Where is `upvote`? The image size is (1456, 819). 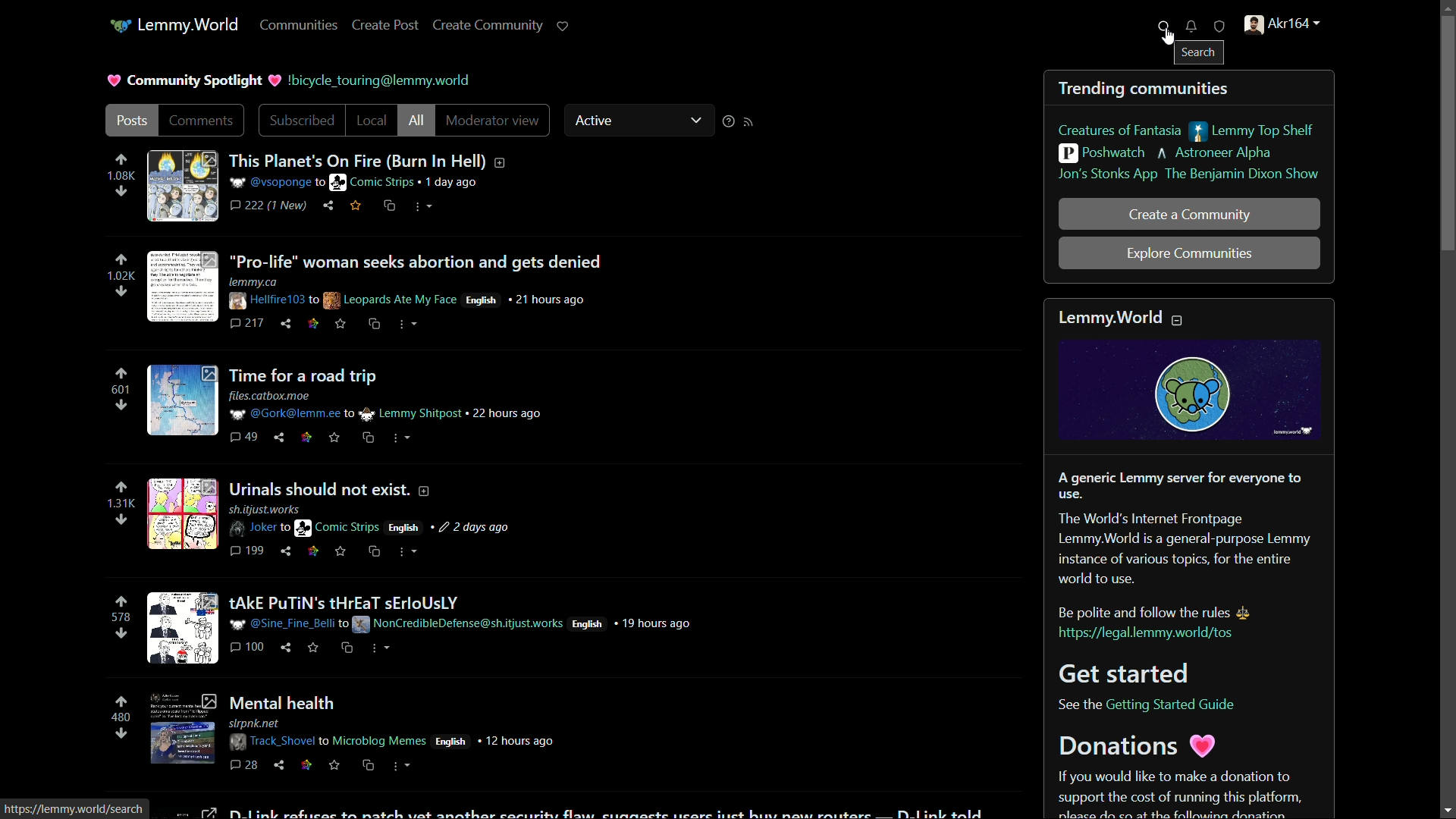 upvote is located at coordinates (120, 160).